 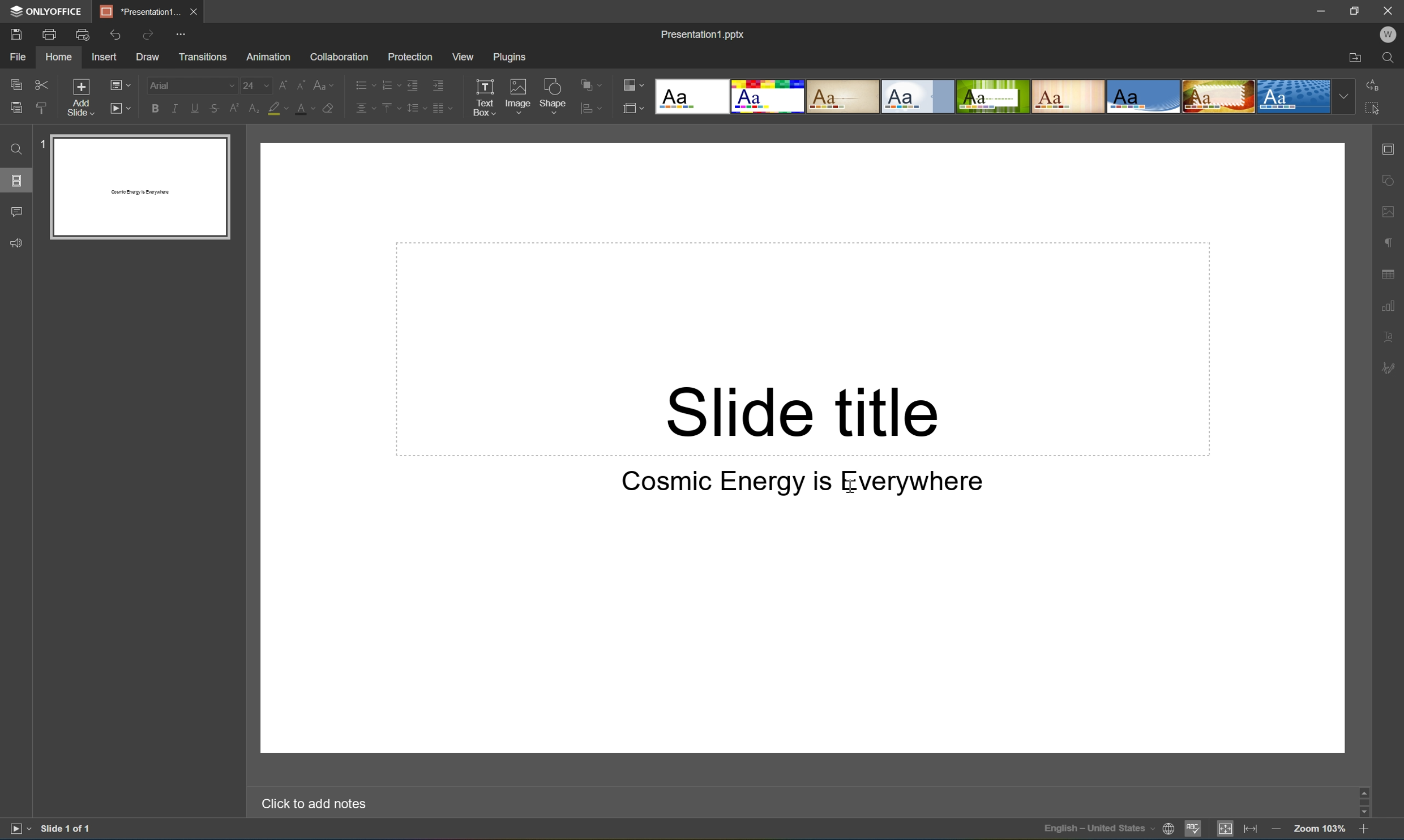 I want to click on Change case, so click(x=325, y=81).